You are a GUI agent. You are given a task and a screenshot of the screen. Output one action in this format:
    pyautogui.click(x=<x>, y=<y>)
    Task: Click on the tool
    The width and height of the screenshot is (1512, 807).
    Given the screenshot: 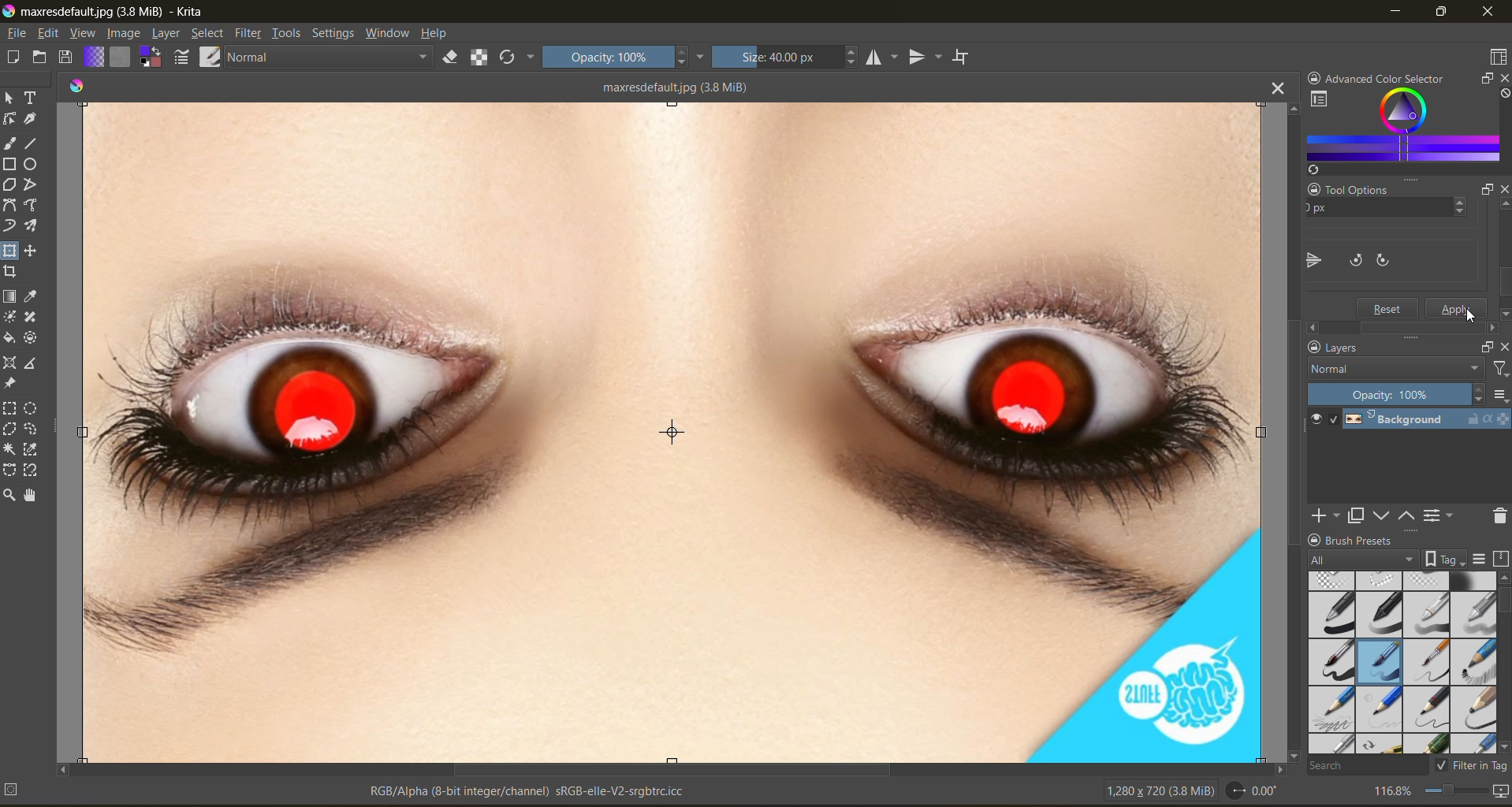 What is the action you would take?
    pyautogui.click(x=11, y=119)
    